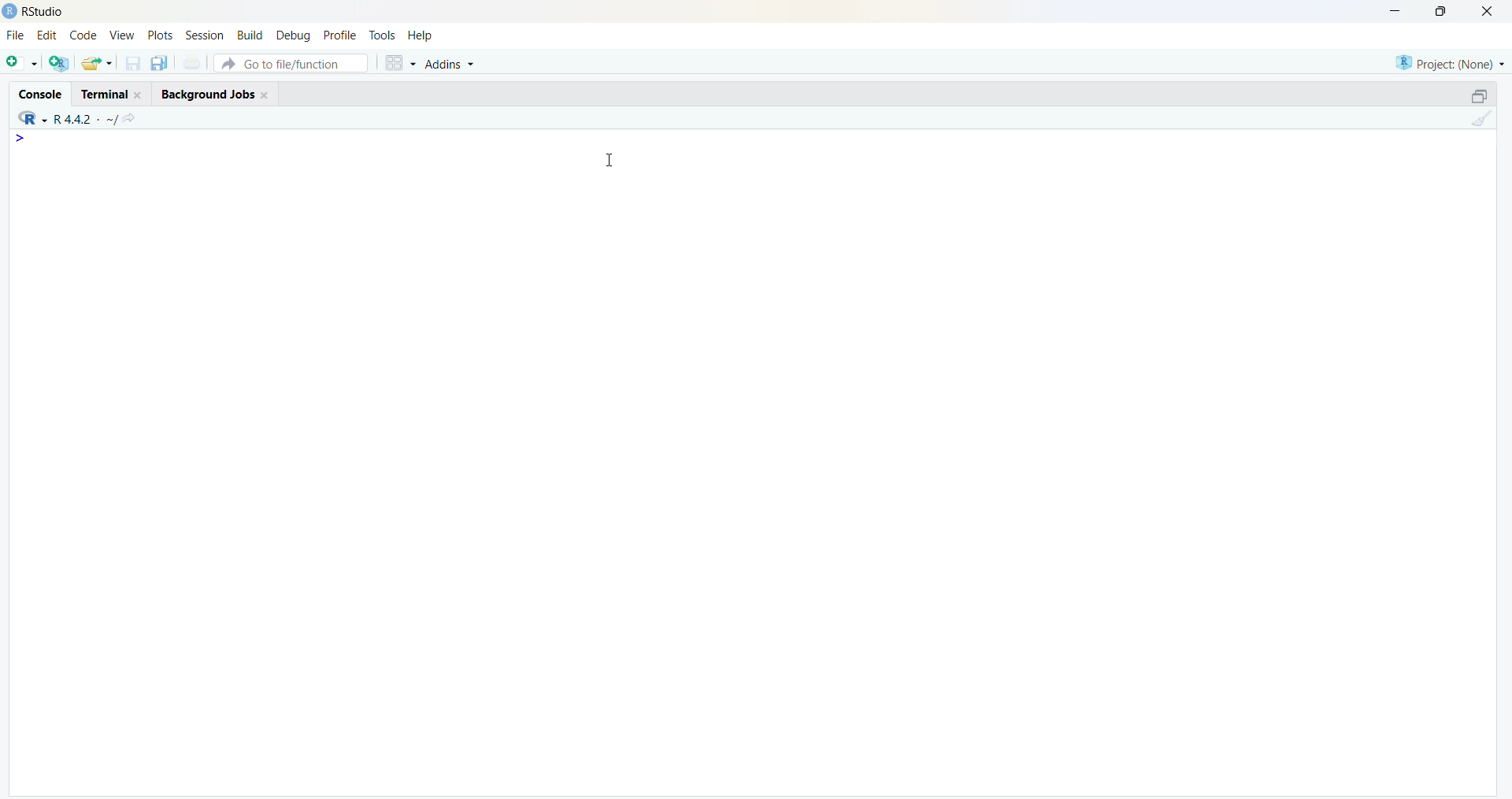 Image resolution: width=1512 pixels, height=799 pixels. I want to click on save, so click(135, 63).